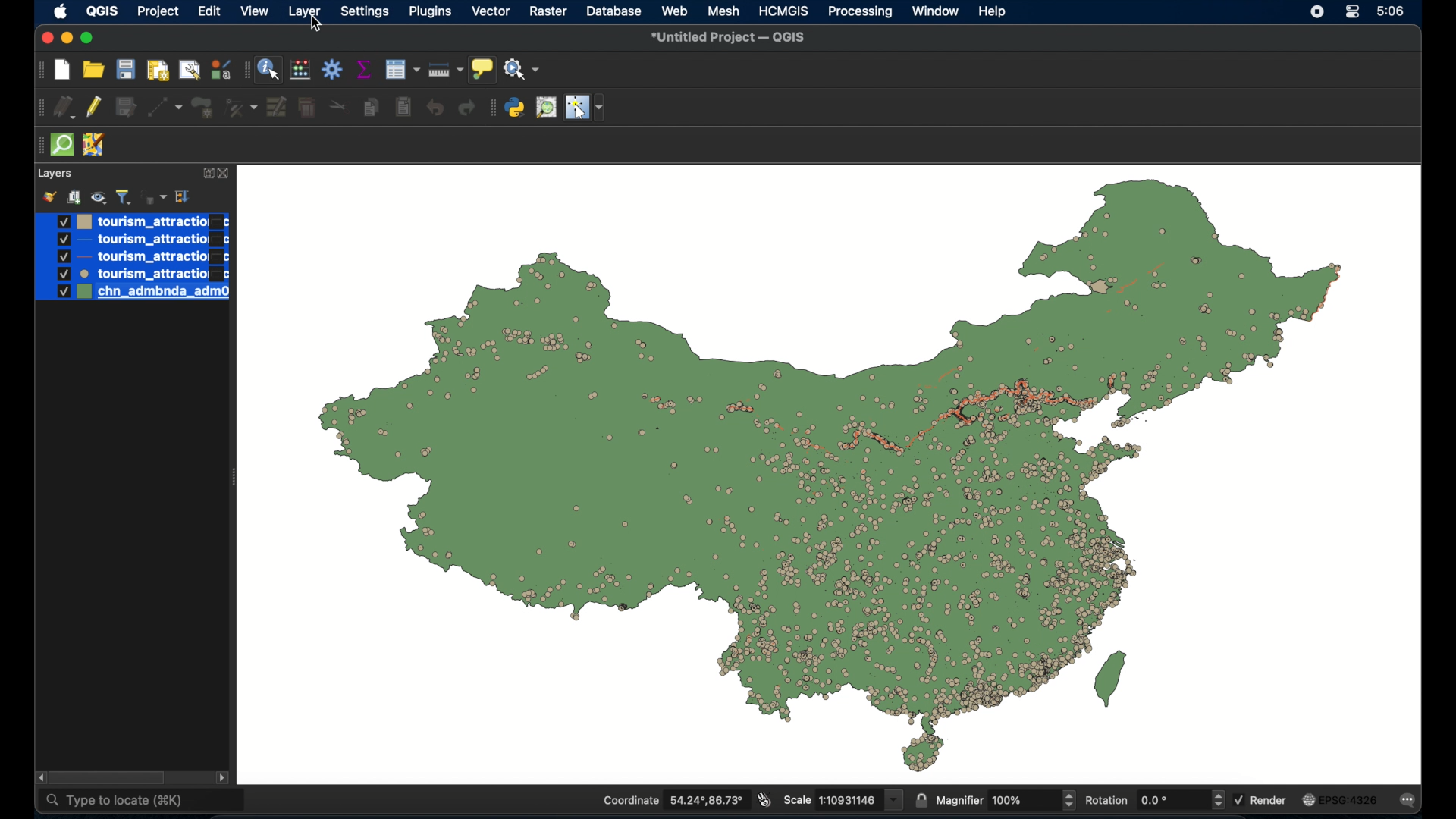 The image size is (1456, 819). I want to click on settings, so click(364, 13).